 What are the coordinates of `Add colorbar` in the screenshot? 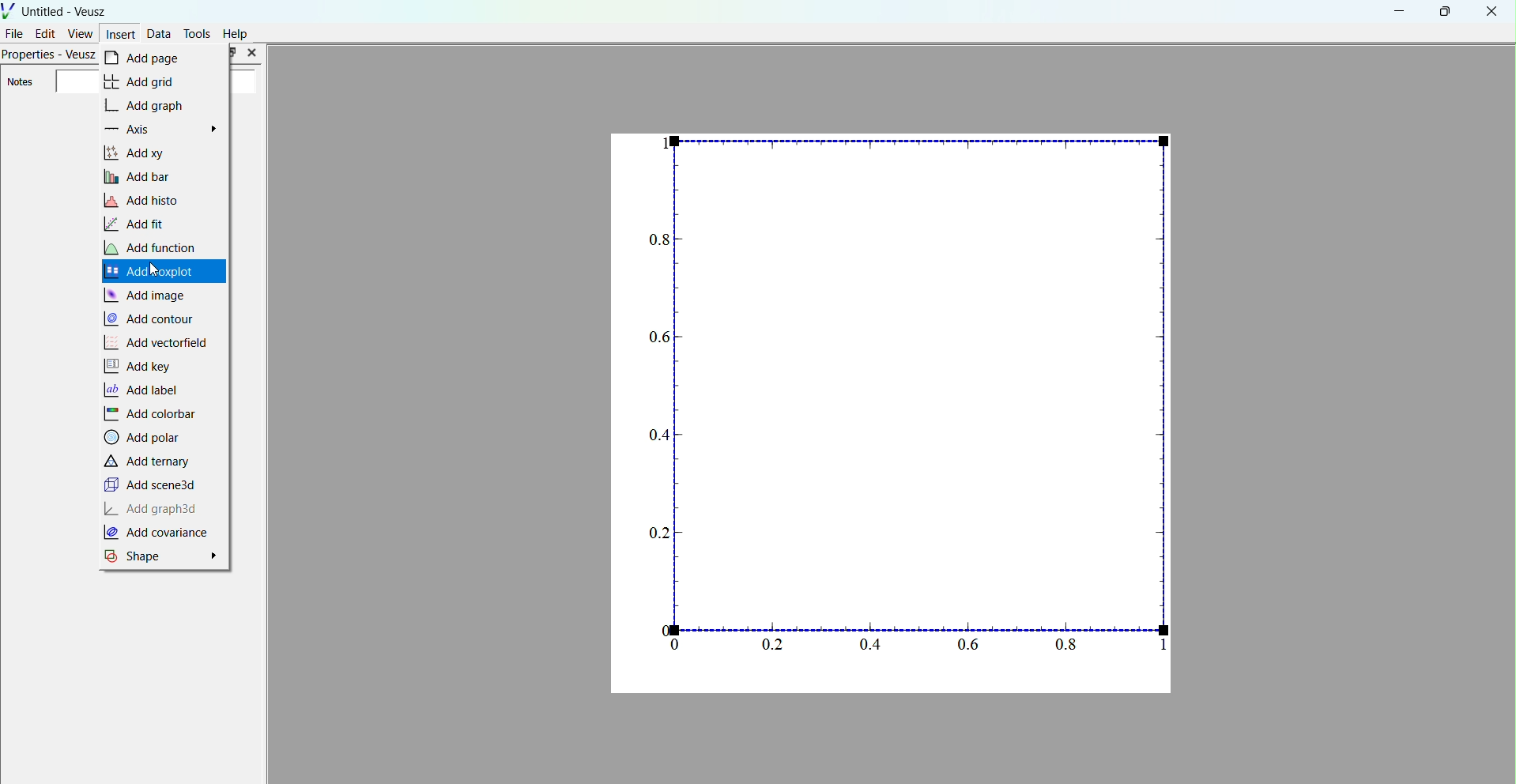 It's located at (151, 414).